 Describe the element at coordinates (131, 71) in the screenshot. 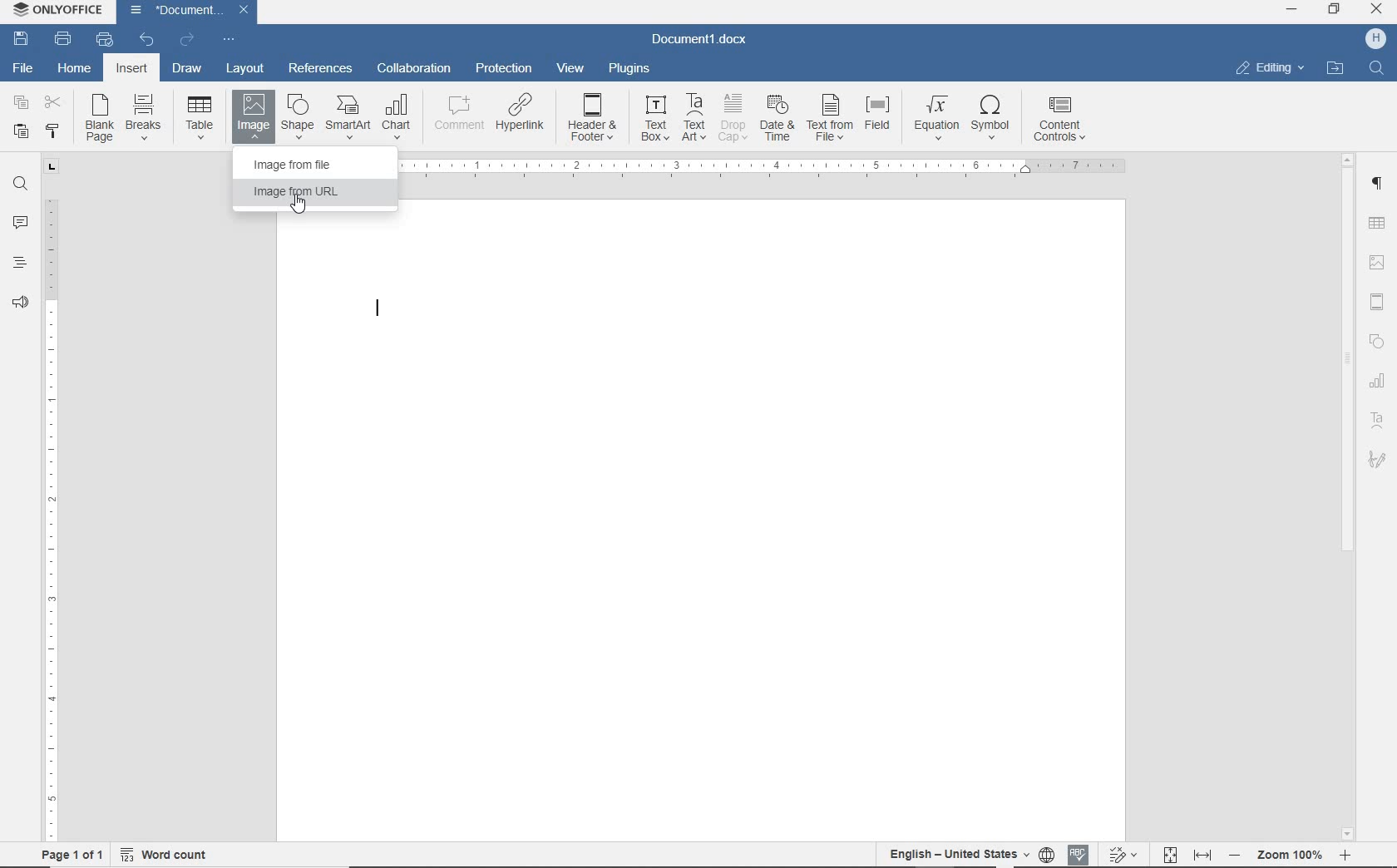

I see `insert` at that location.